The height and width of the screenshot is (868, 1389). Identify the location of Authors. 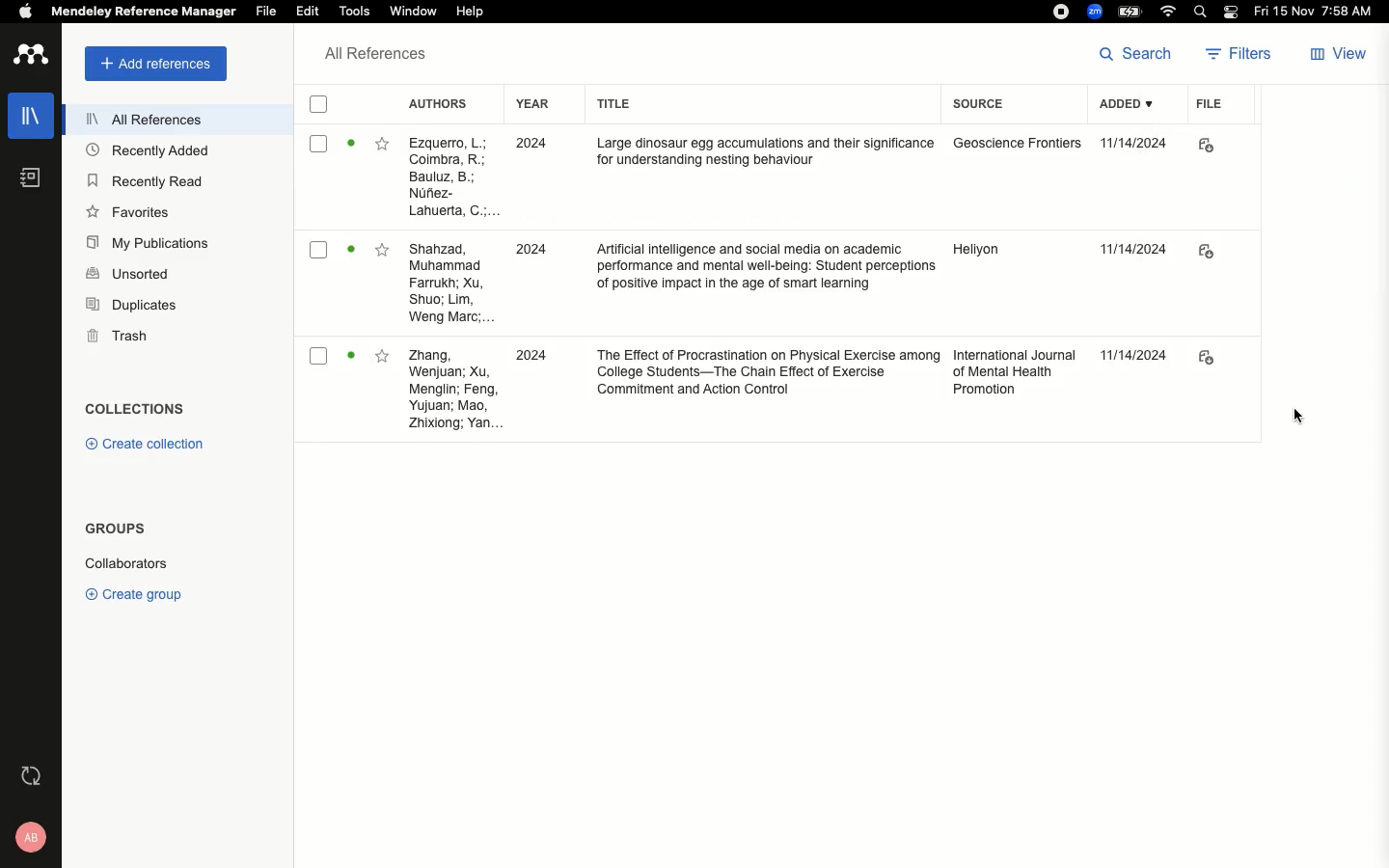
(438, 102).